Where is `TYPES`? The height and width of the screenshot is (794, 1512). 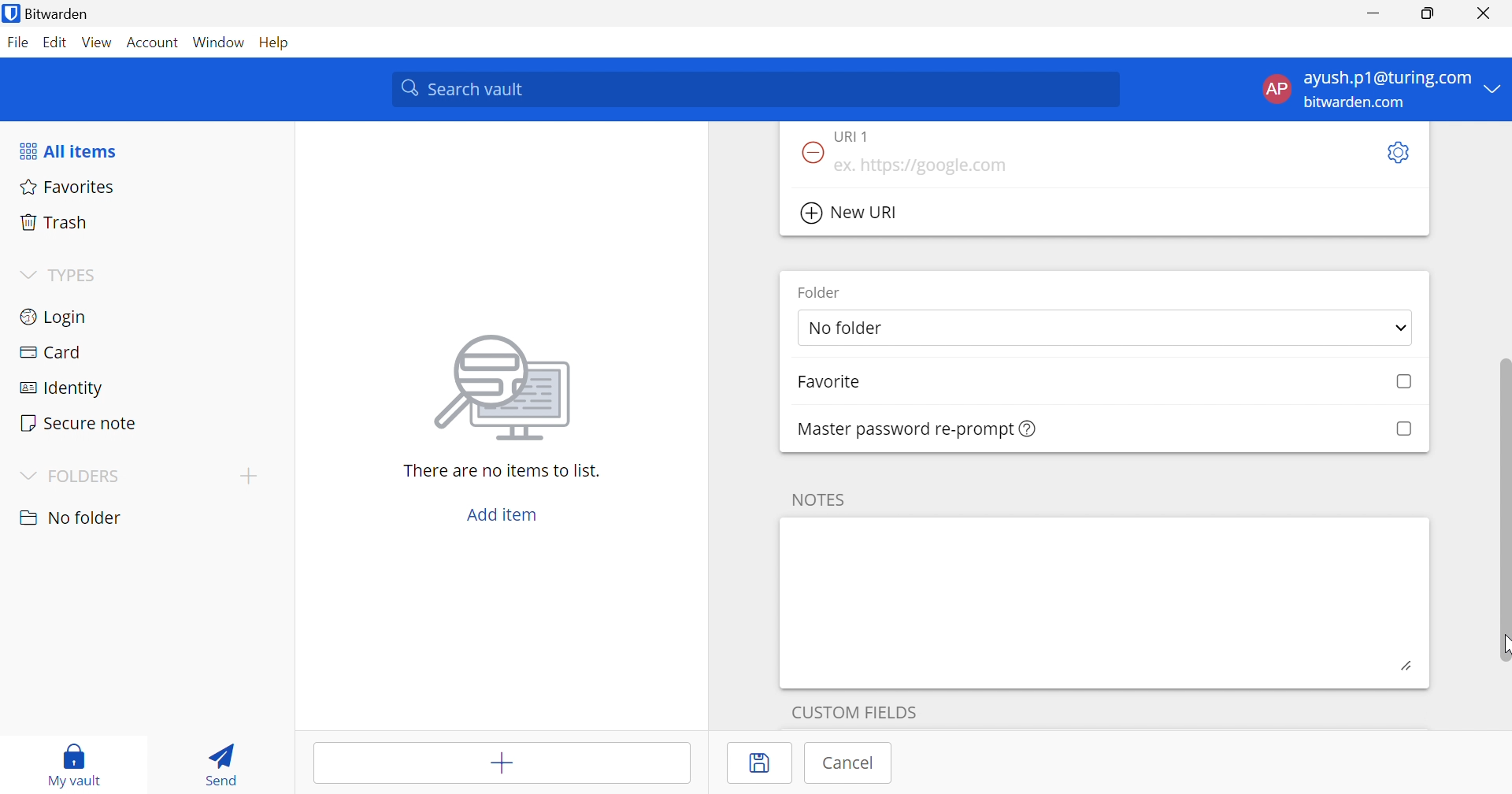 TYPES is located at coordinates (76, 278).